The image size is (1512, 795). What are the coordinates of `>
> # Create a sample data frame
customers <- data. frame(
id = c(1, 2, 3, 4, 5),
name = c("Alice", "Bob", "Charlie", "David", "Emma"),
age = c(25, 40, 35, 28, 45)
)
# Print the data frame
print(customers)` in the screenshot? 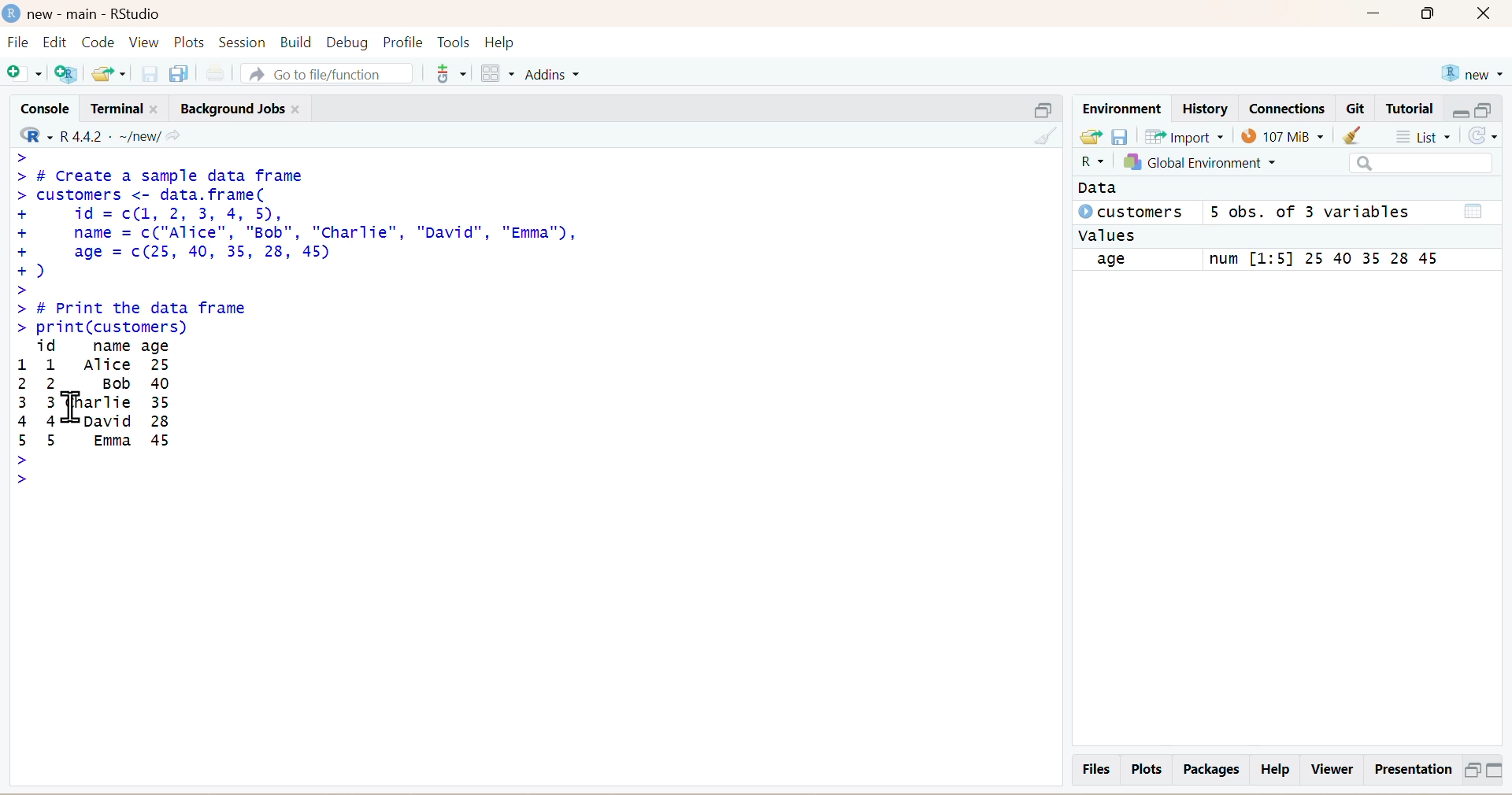 It's located at (325, 241).